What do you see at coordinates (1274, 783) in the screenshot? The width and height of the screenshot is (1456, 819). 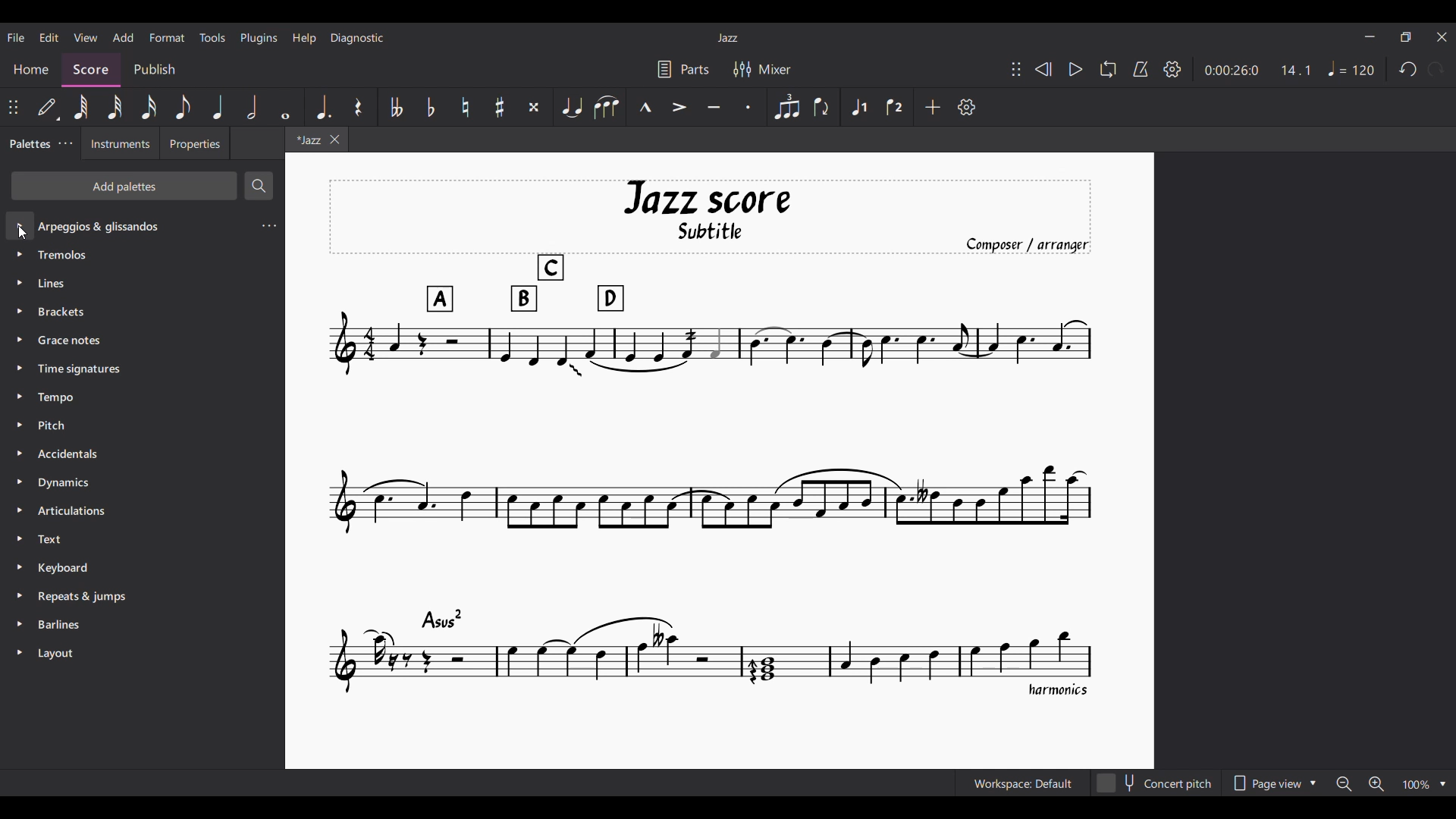 I see `Page view options` at bounding box center [1274, 783].